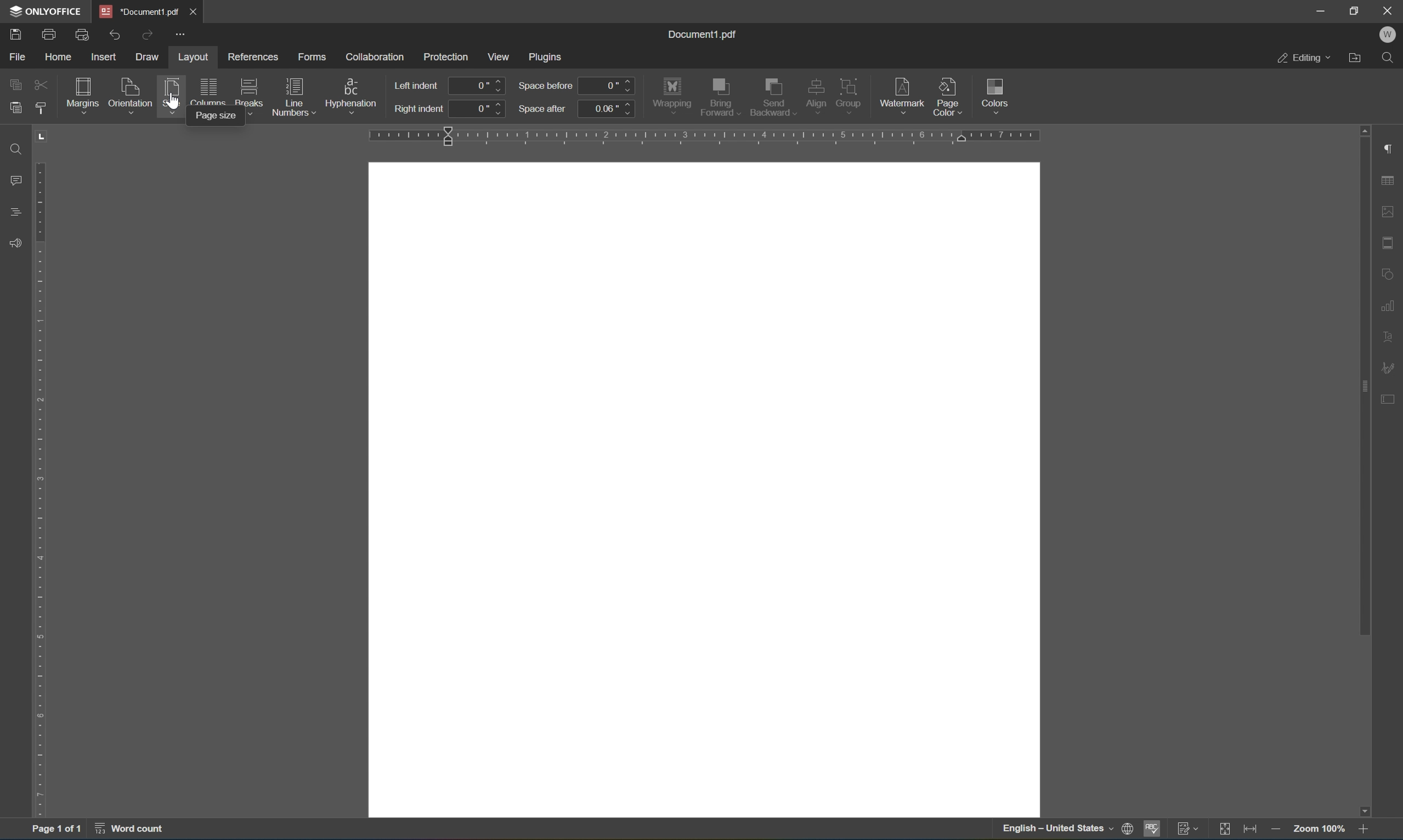 Image resolution: width=1403 pixels, height=840 pixels. Describe the element at coordinates (1389, 181) in the screenshot. I see `table settings` at that location.